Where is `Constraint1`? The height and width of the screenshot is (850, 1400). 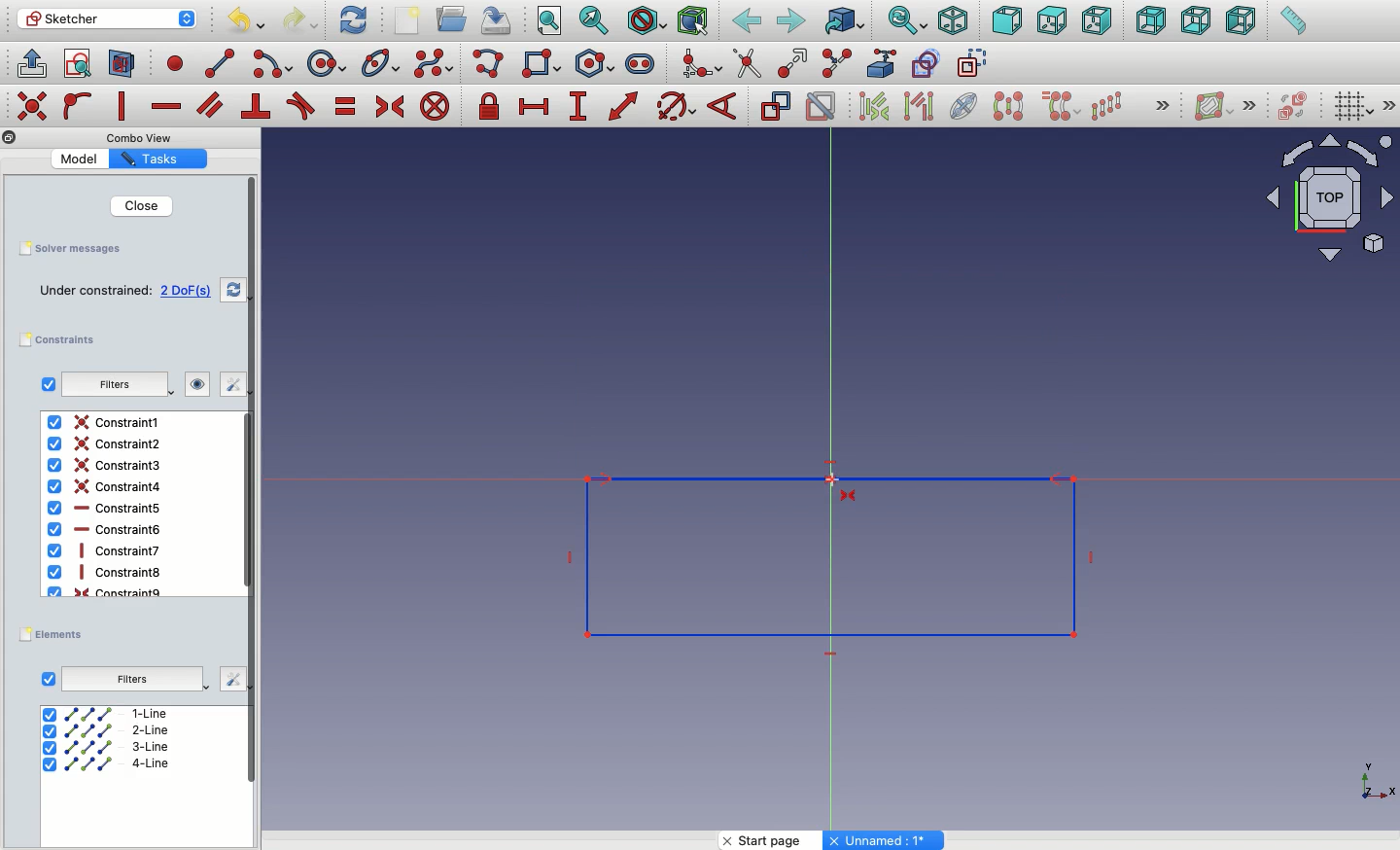 Constraint1 is located at coordinates (103, 422).